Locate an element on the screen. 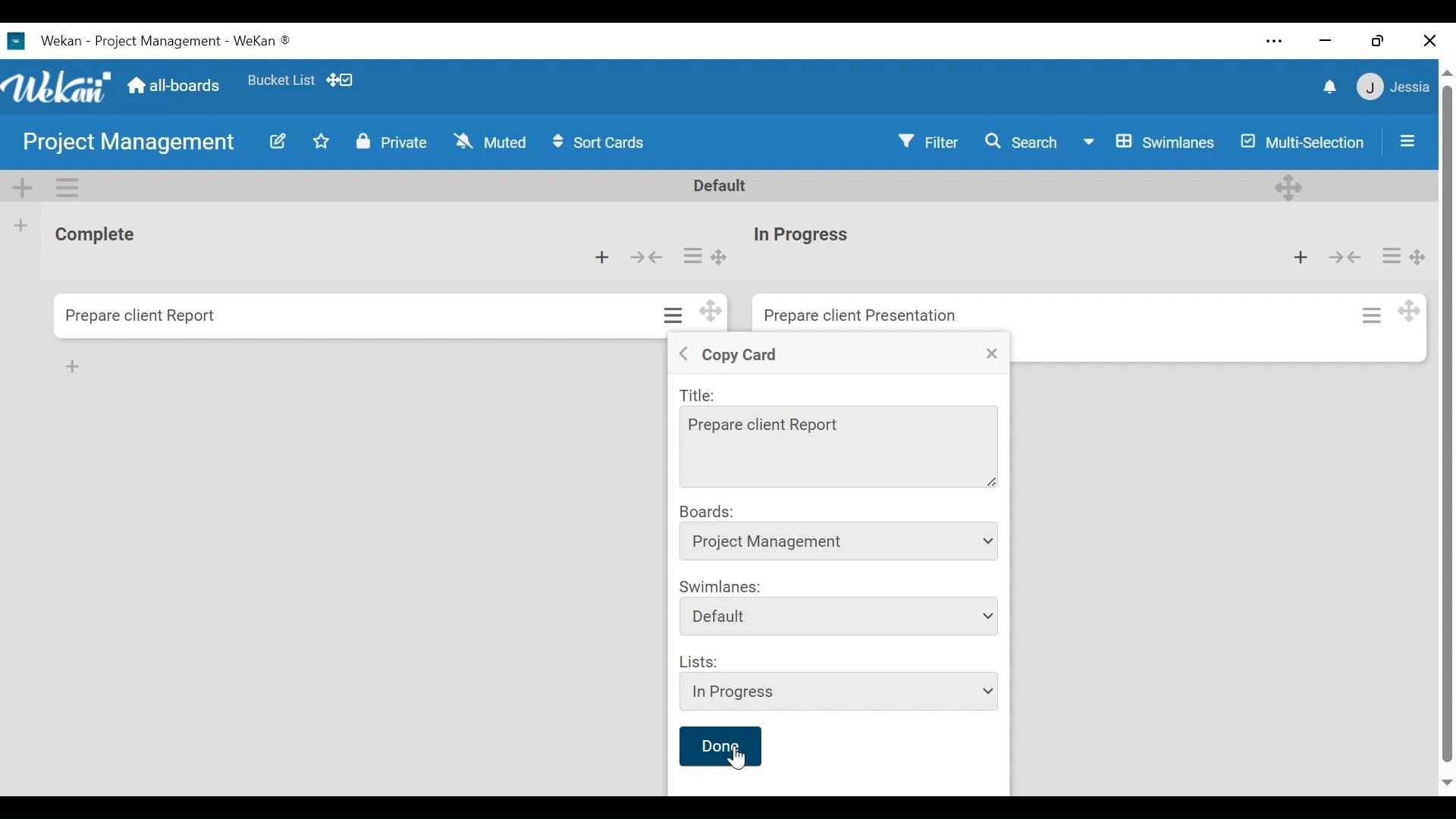  Restore is located at coordinates (1380, 39).